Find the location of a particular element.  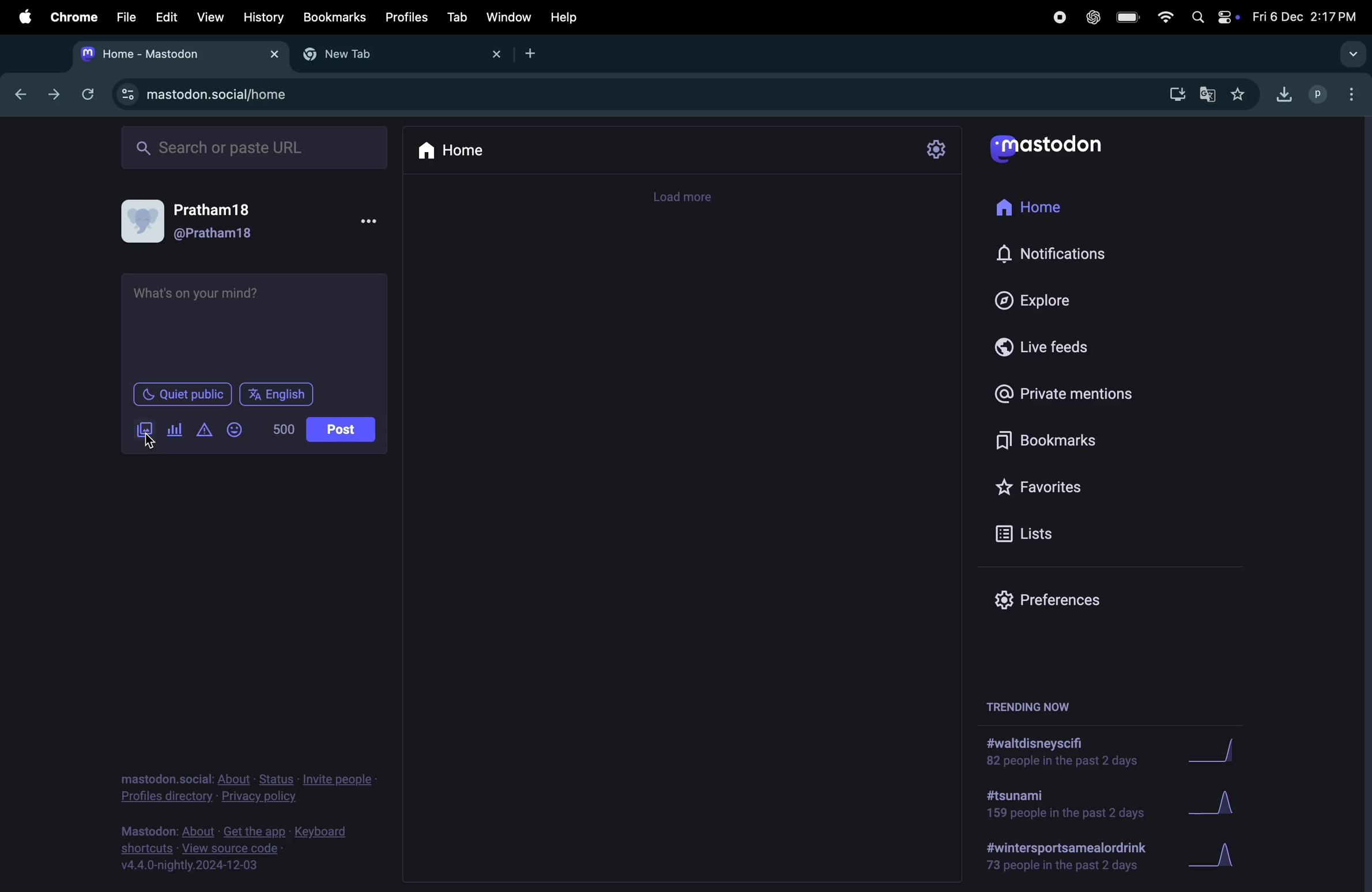

Bookmarks is located at coordinates (1042, 442).